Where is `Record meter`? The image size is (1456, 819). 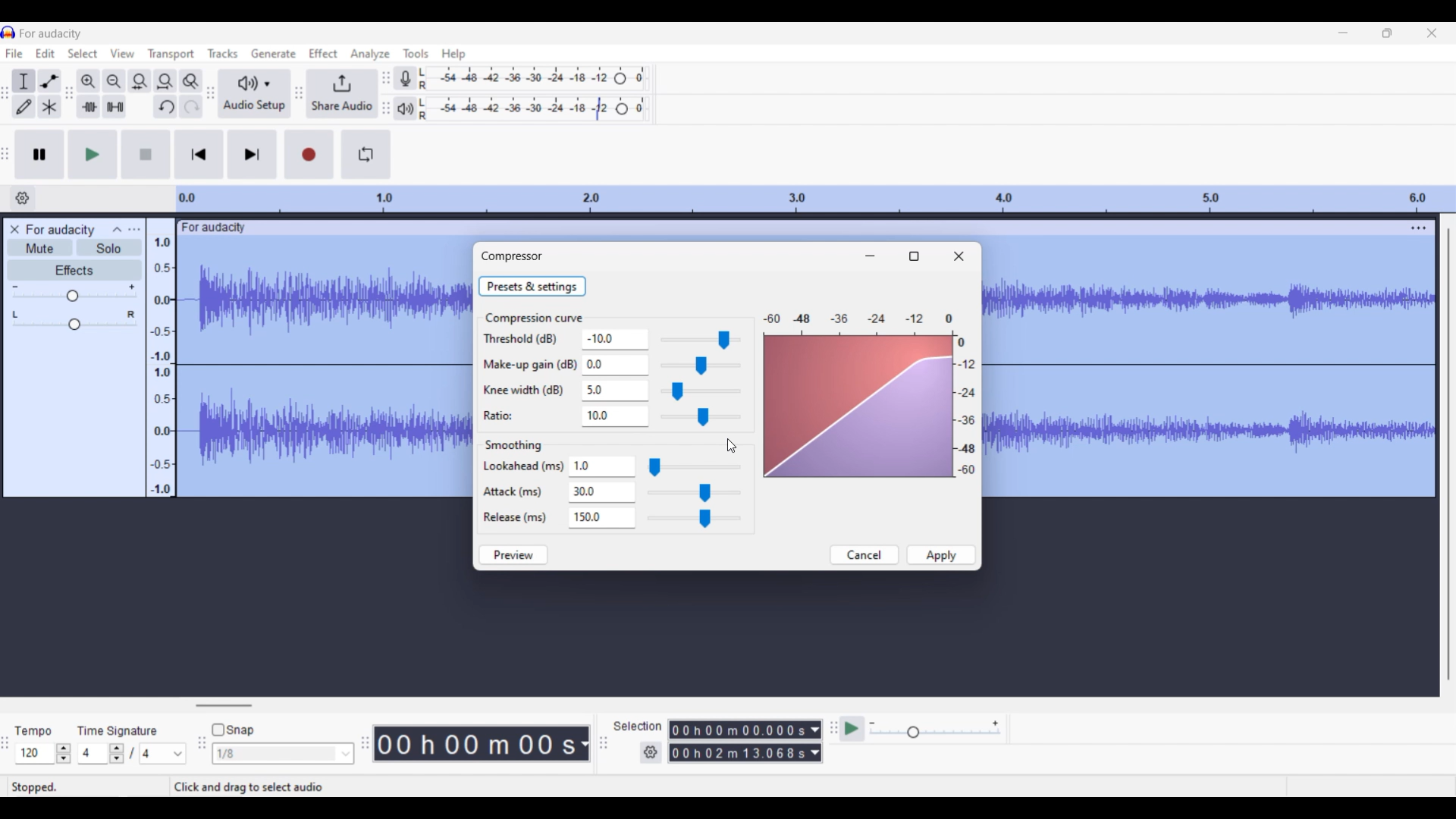 Record meter is located at coordinates (404, 78).